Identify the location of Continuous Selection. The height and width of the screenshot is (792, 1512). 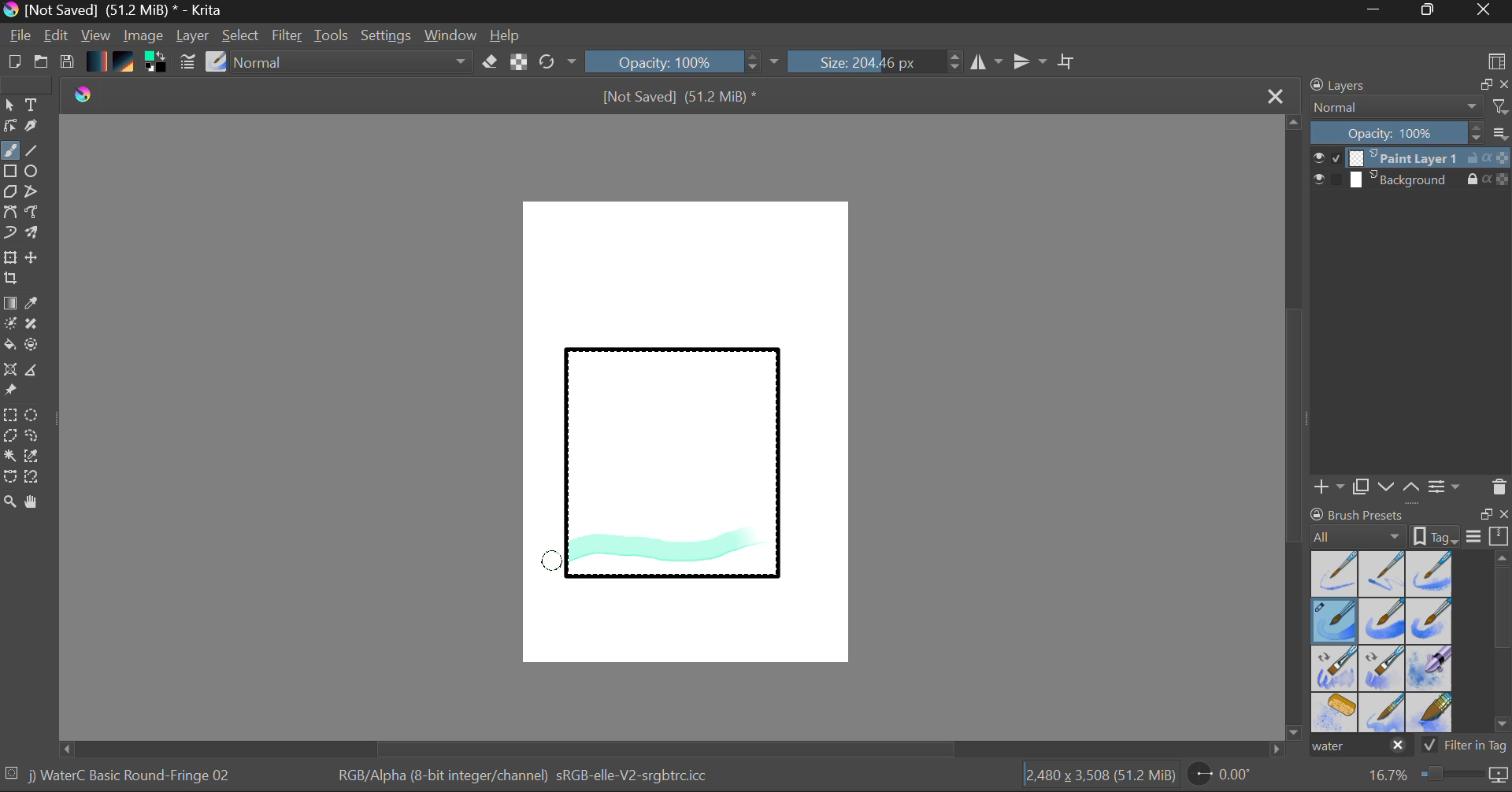
(9, 455).